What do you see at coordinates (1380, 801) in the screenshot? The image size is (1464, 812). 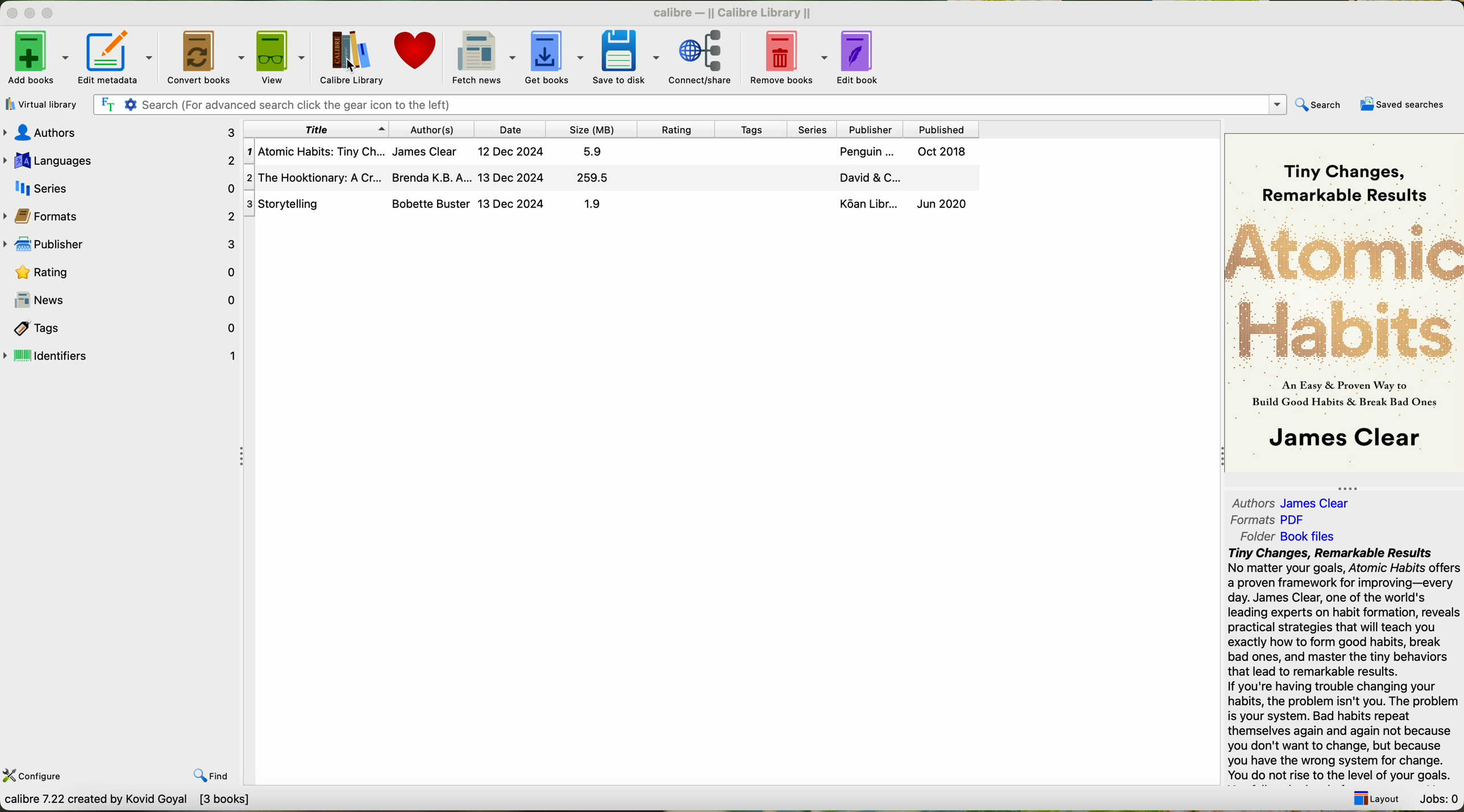 I see `layout` at bounding box center [1380, 801].